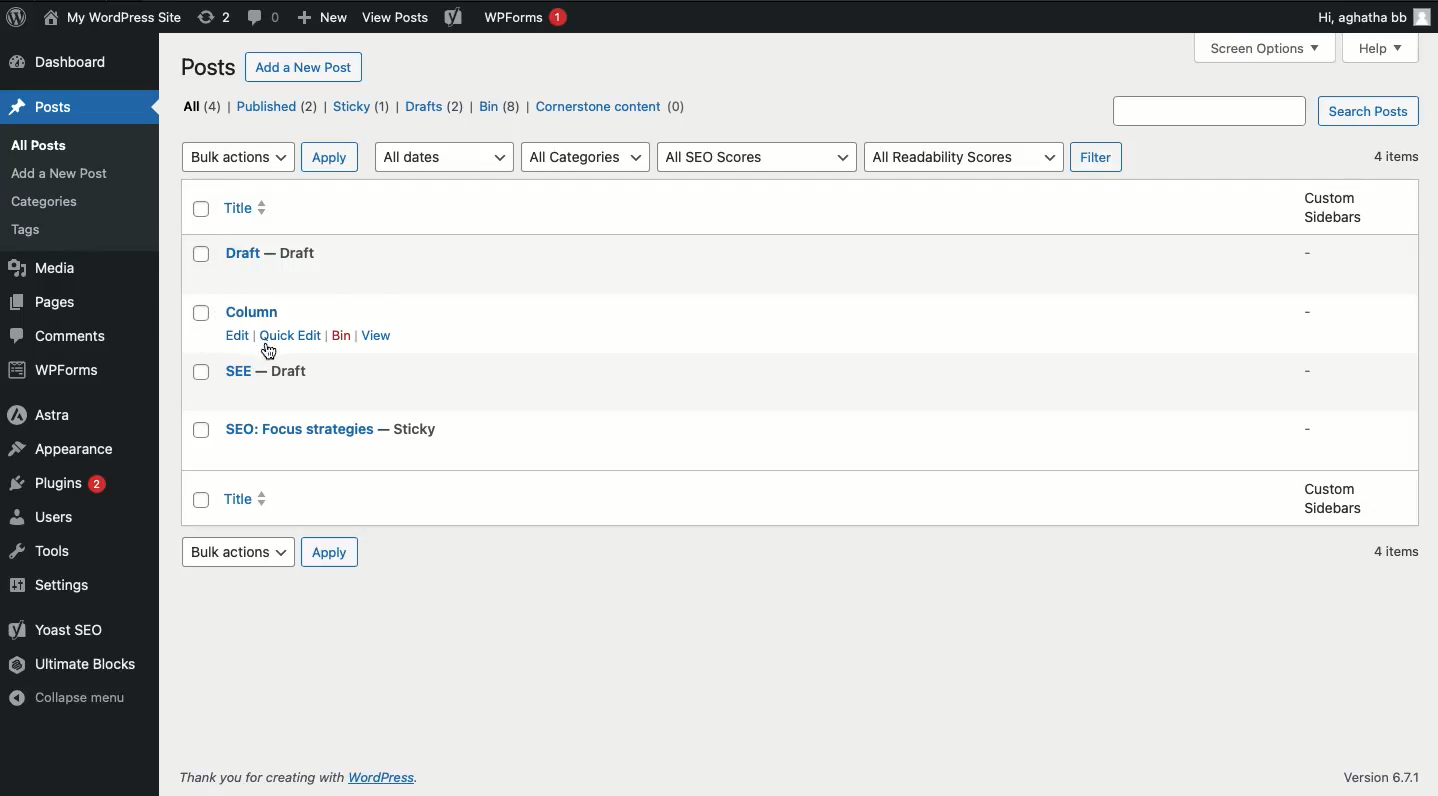  Describe the element at coordinates (201, 209) in the screenshot. I see `checkbox` at that location.